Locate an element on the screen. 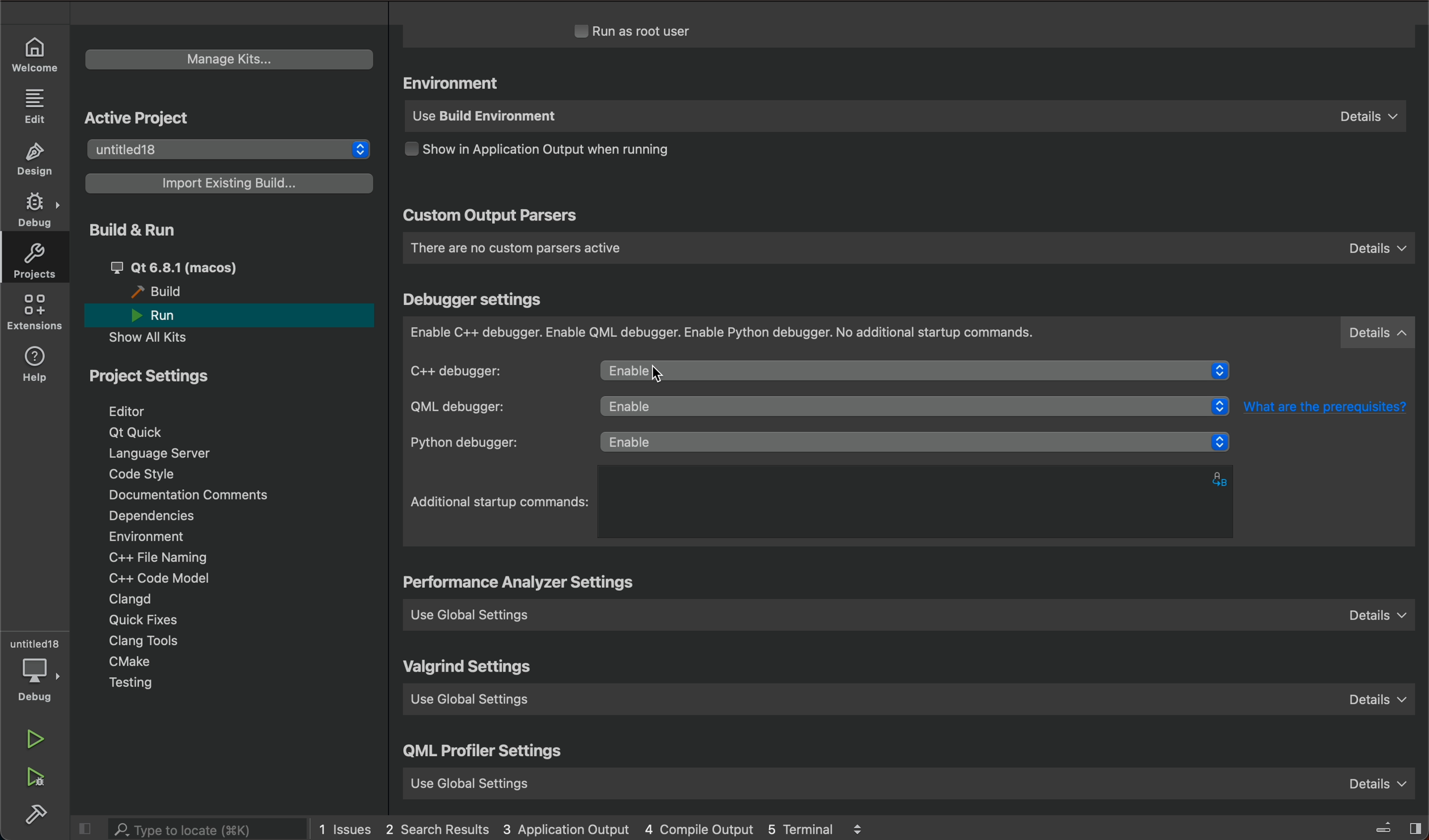  startup  is located at coordinates (501, 502).